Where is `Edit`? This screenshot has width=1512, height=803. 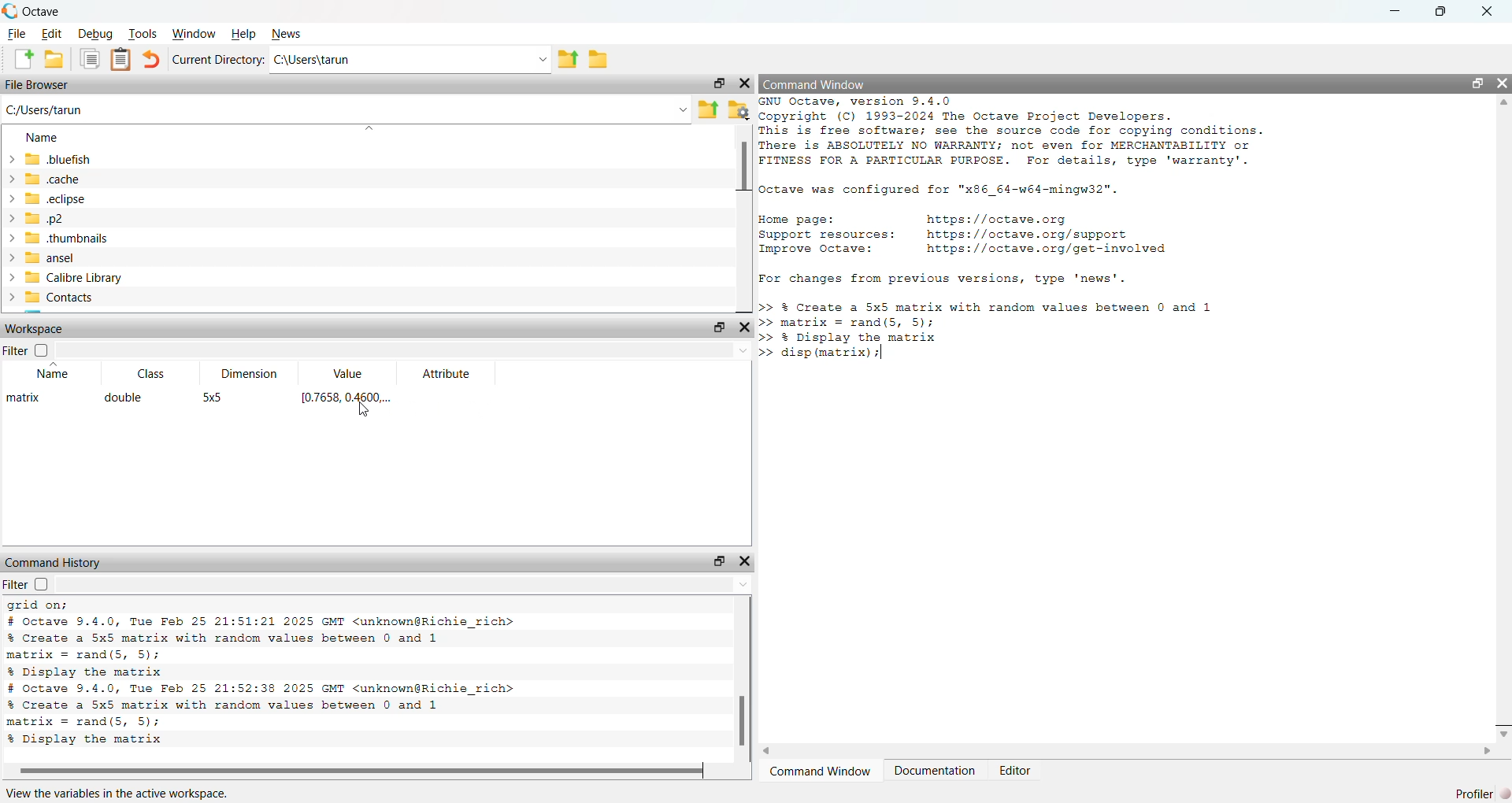
Edit is located at coordinates (52, 33).